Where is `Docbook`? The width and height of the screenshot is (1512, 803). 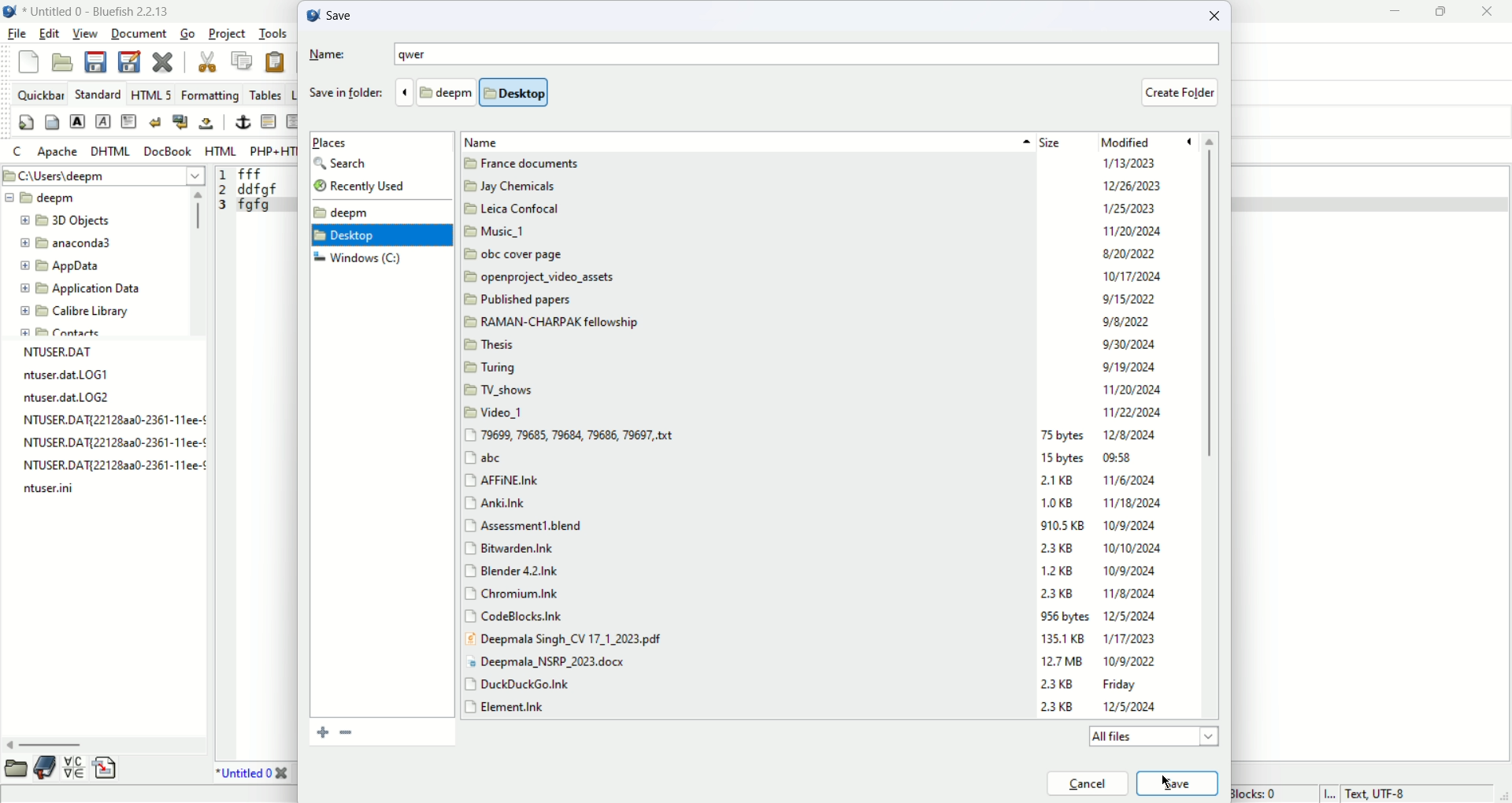 Docbook is located at coordinates (169, 151).